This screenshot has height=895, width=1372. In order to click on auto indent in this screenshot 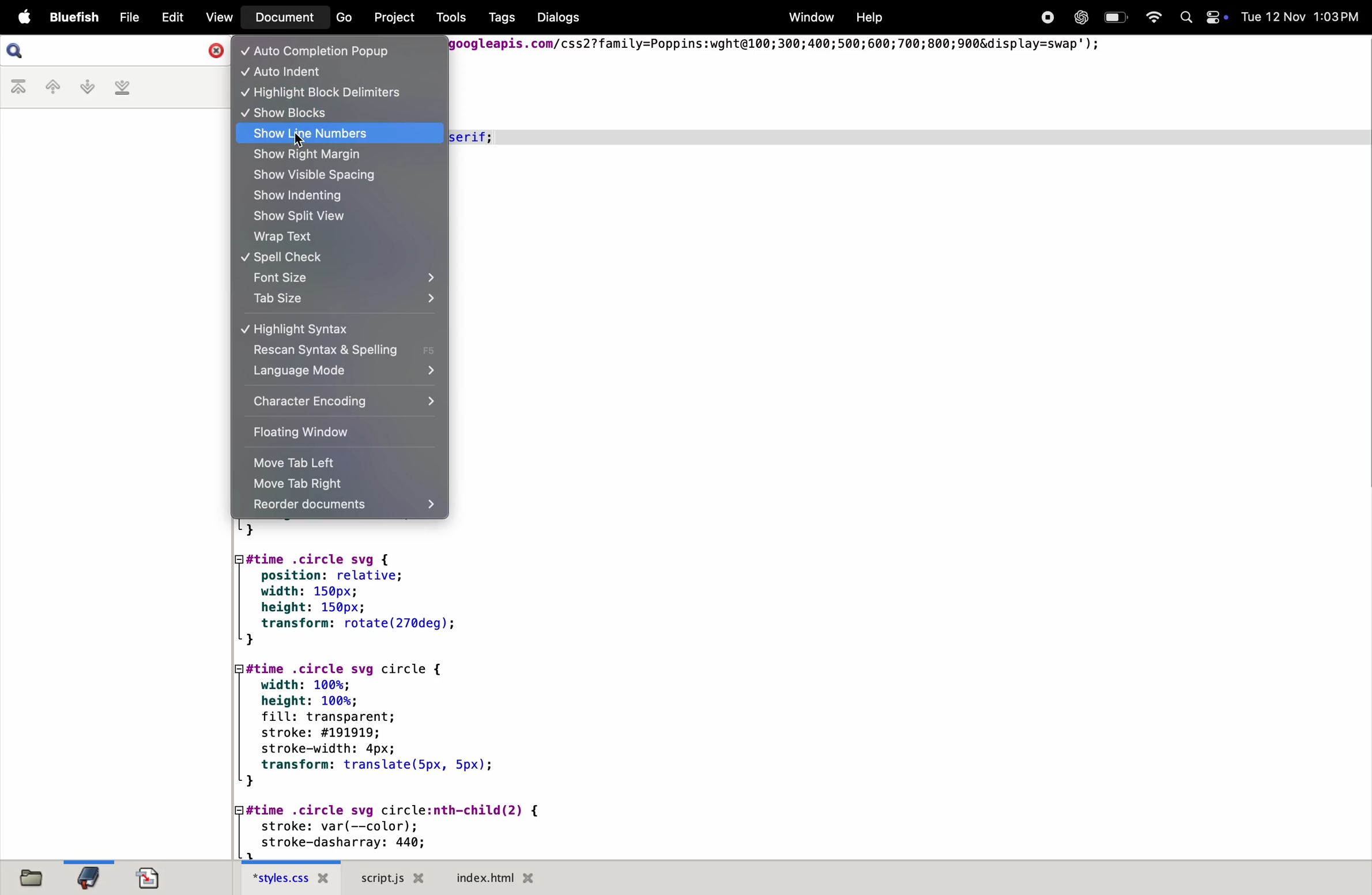, I will do `click(340, 72)`.